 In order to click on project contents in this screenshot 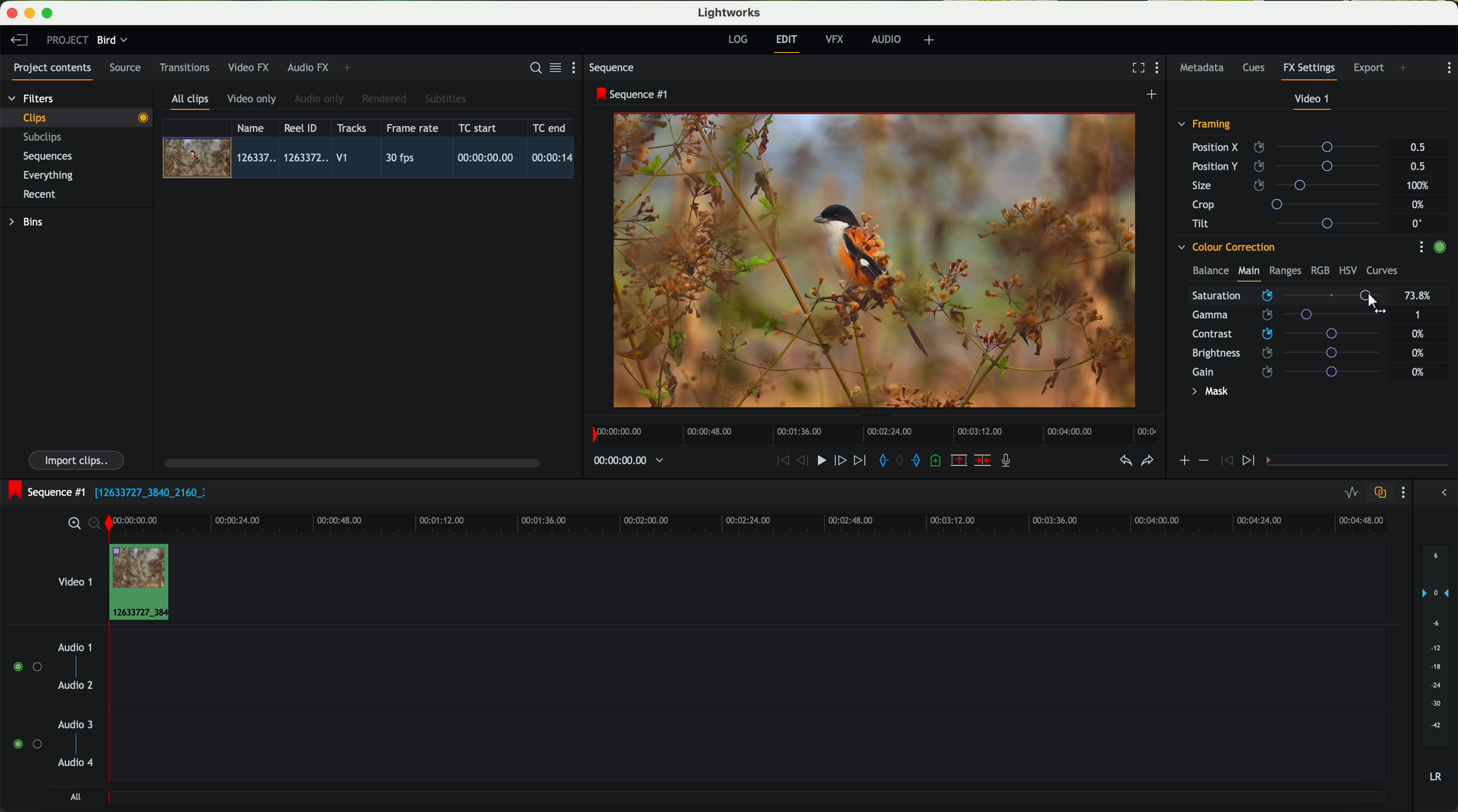, I will do `click(53, 71)`.